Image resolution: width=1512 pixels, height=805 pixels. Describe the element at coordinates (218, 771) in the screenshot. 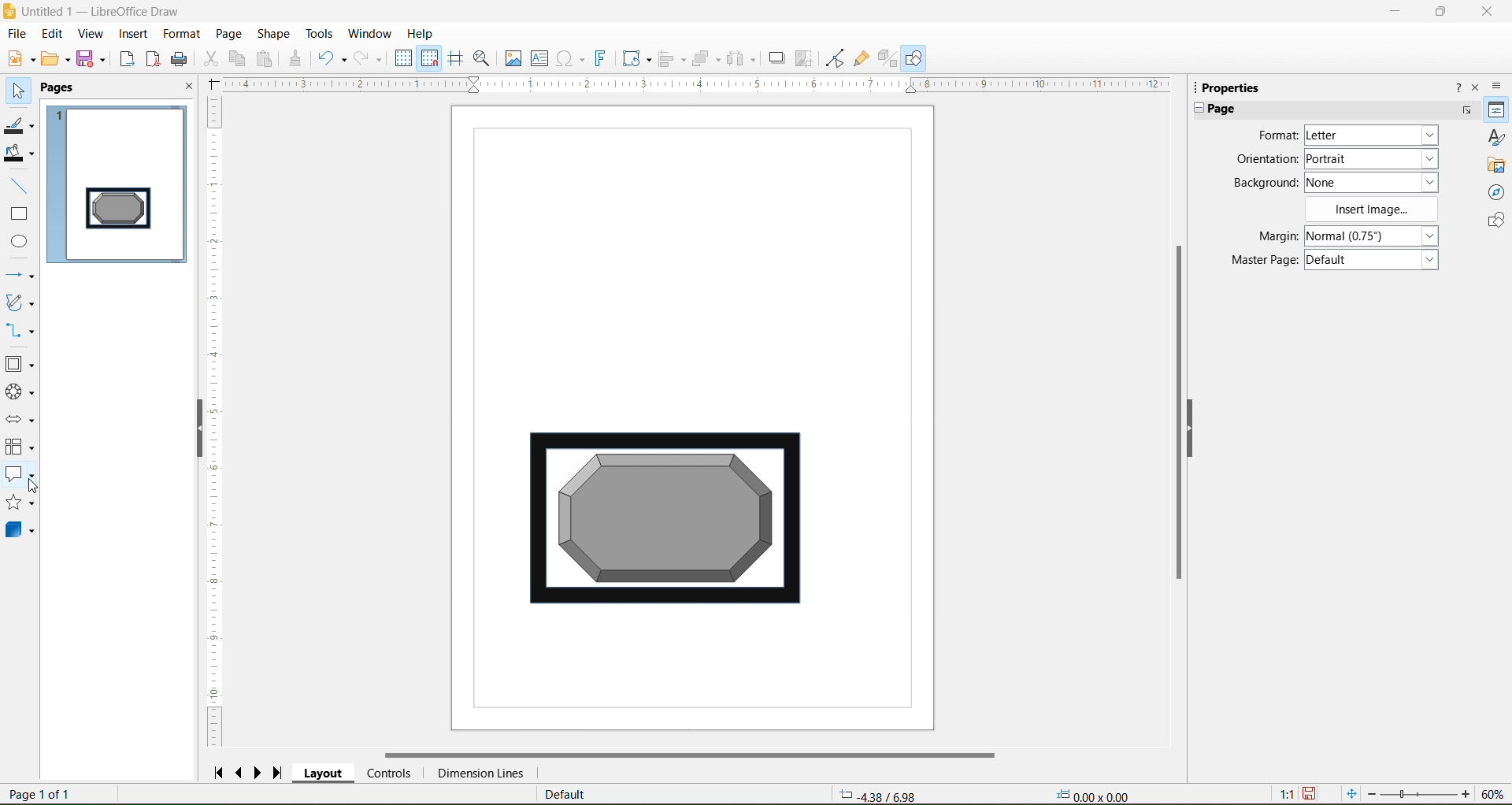

I see `Scroll to first page` at that location.